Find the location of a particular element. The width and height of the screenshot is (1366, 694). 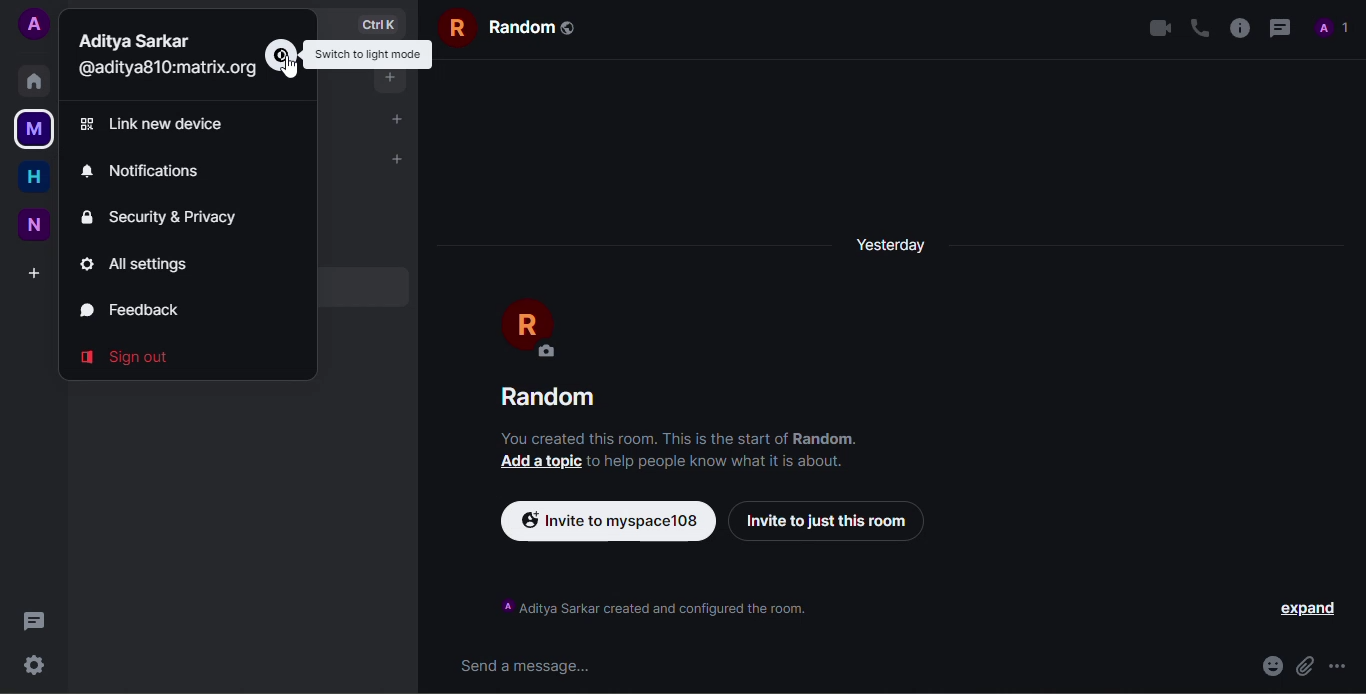

info is located at coordinates (1238, 27).